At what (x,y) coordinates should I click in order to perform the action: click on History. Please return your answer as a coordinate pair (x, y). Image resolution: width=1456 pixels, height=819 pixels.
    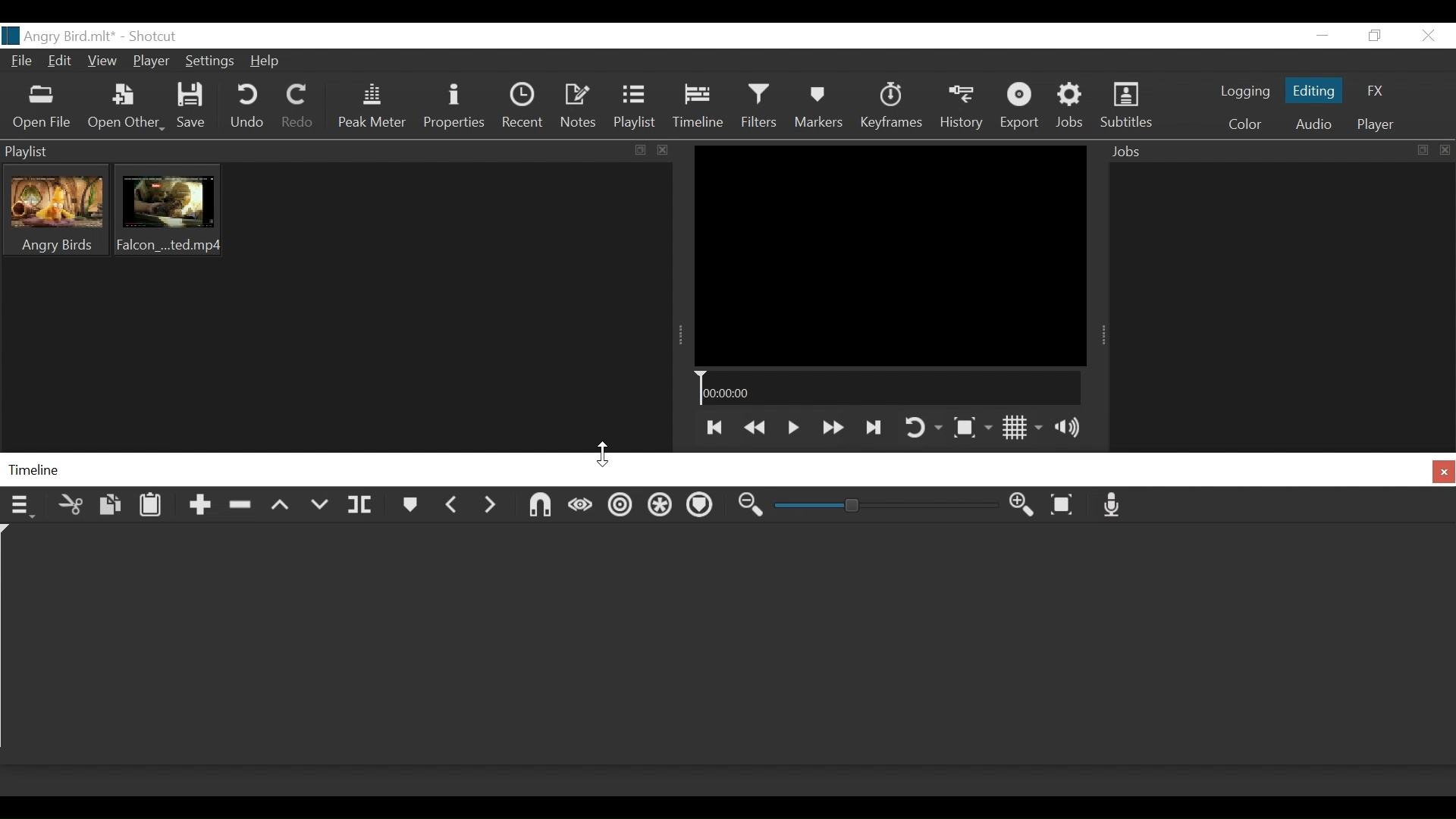
    Looking at the image, I should click on (961, 106).